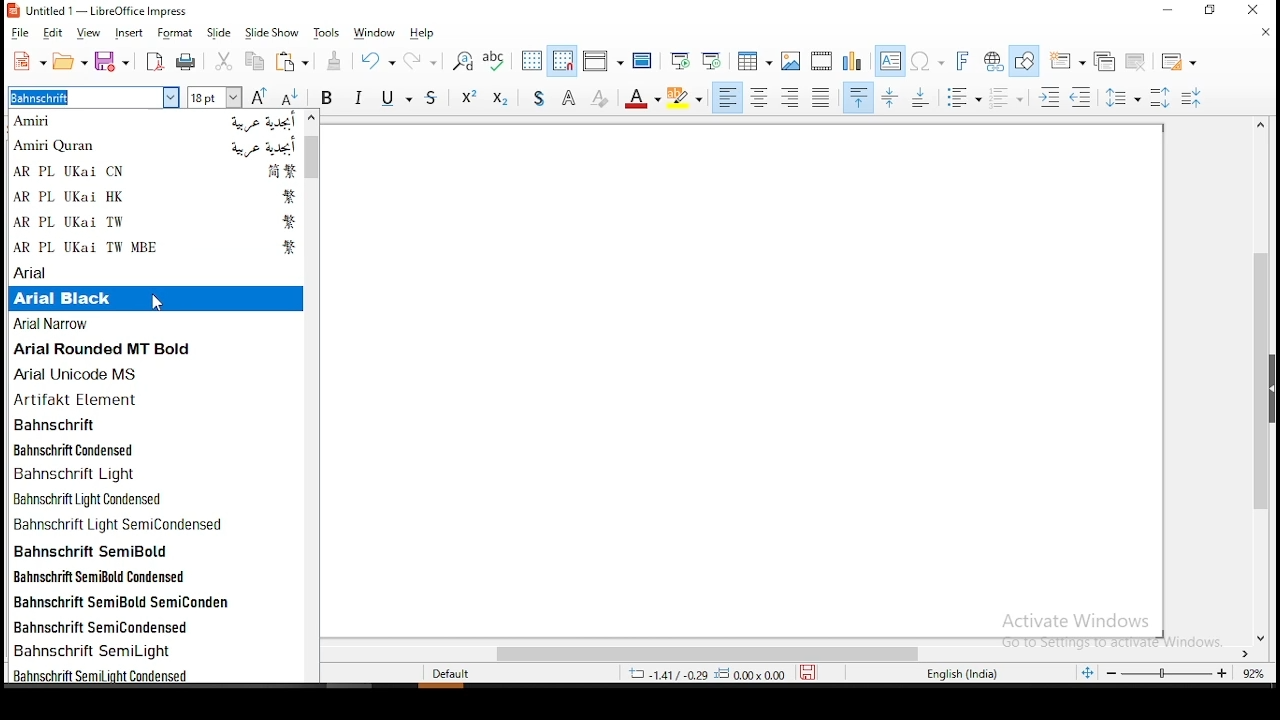  What do you see at coordinates (155, 270) in the screenshot?
I see `arial ` at bounding box center [155, 270].